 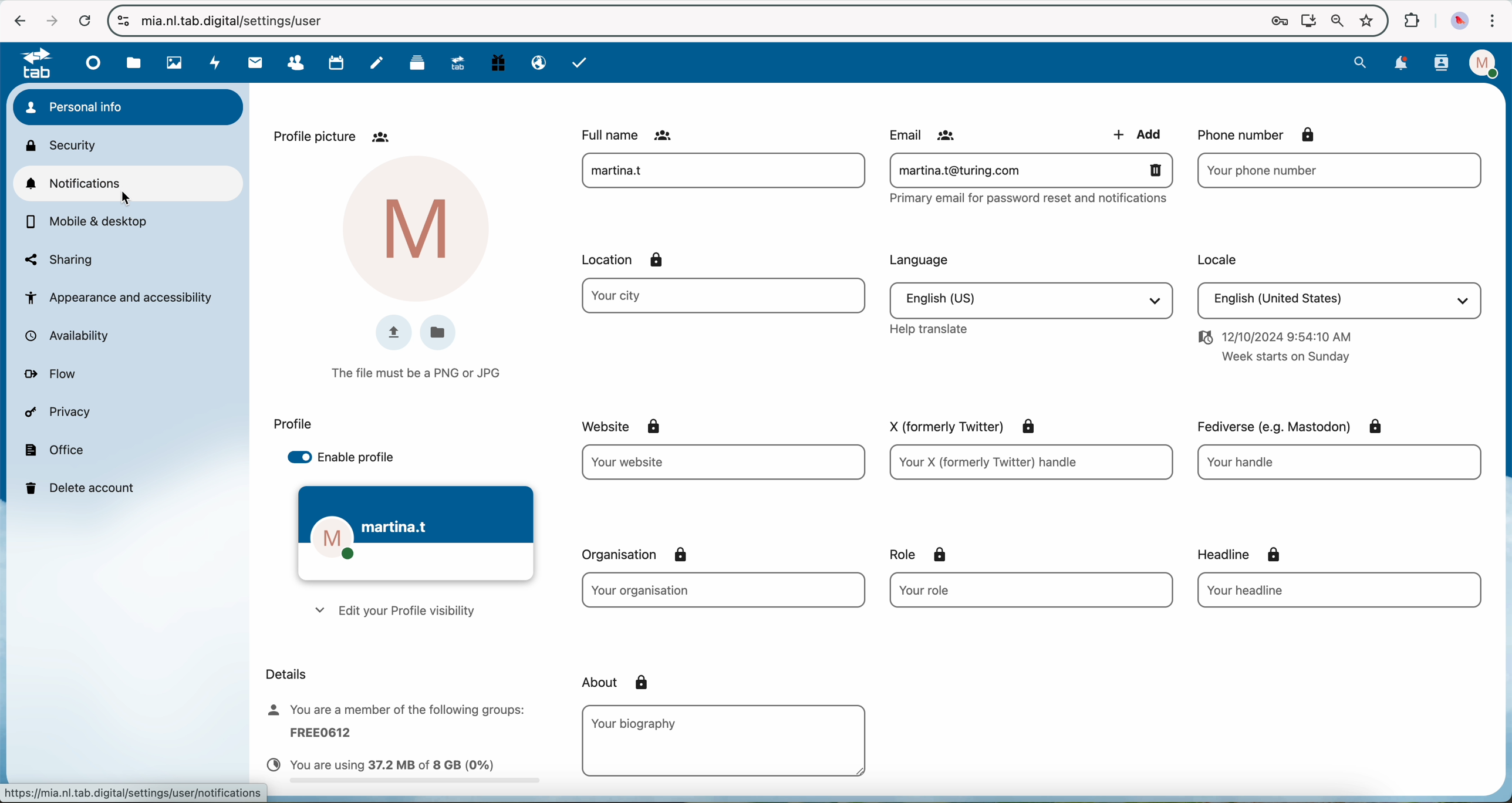 I want to click on email, so click(x=923, y=133).